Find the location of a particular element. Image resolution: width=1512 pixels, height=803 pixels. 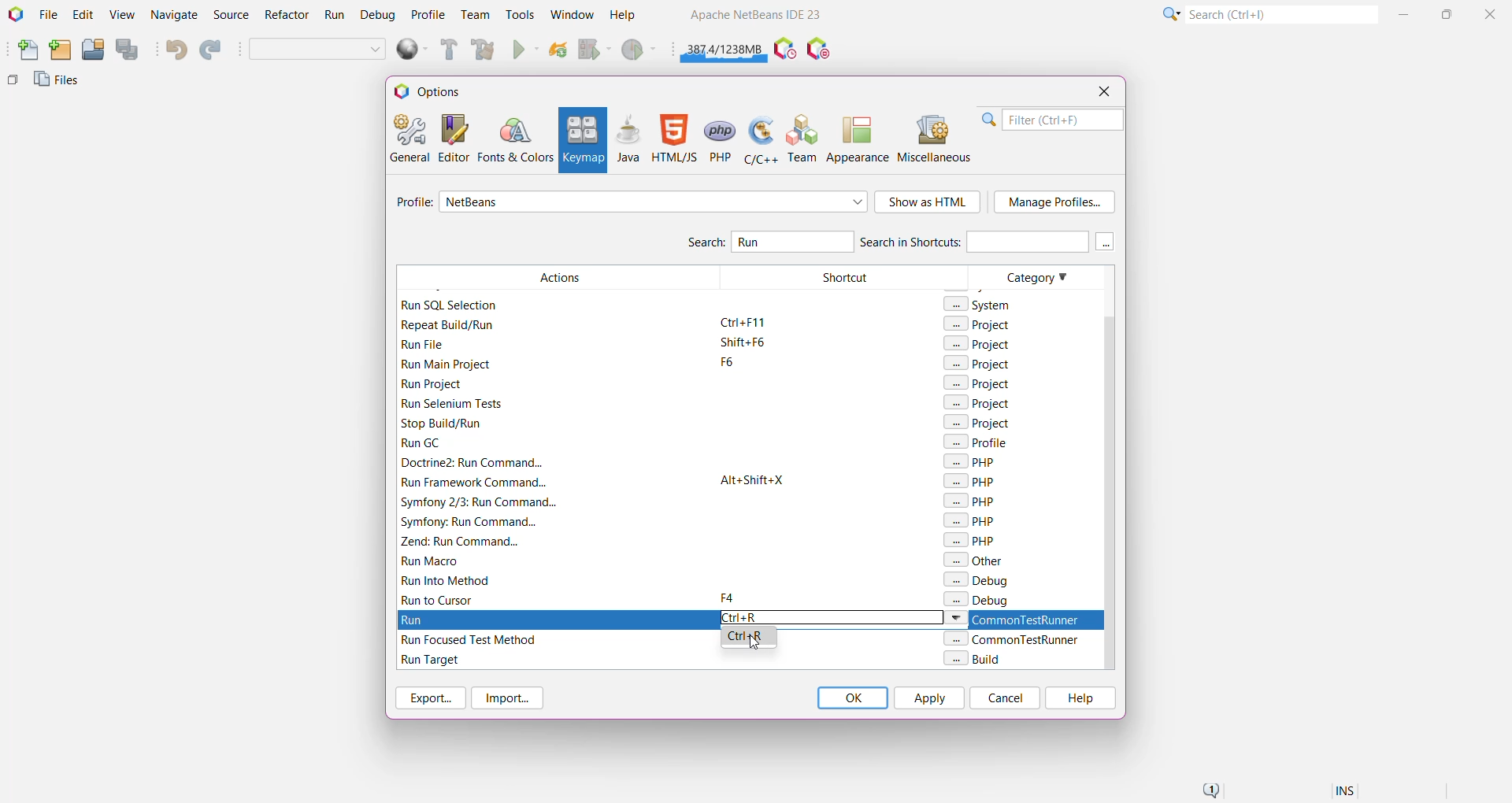

Application Logo is located at coordinates (14, 15).